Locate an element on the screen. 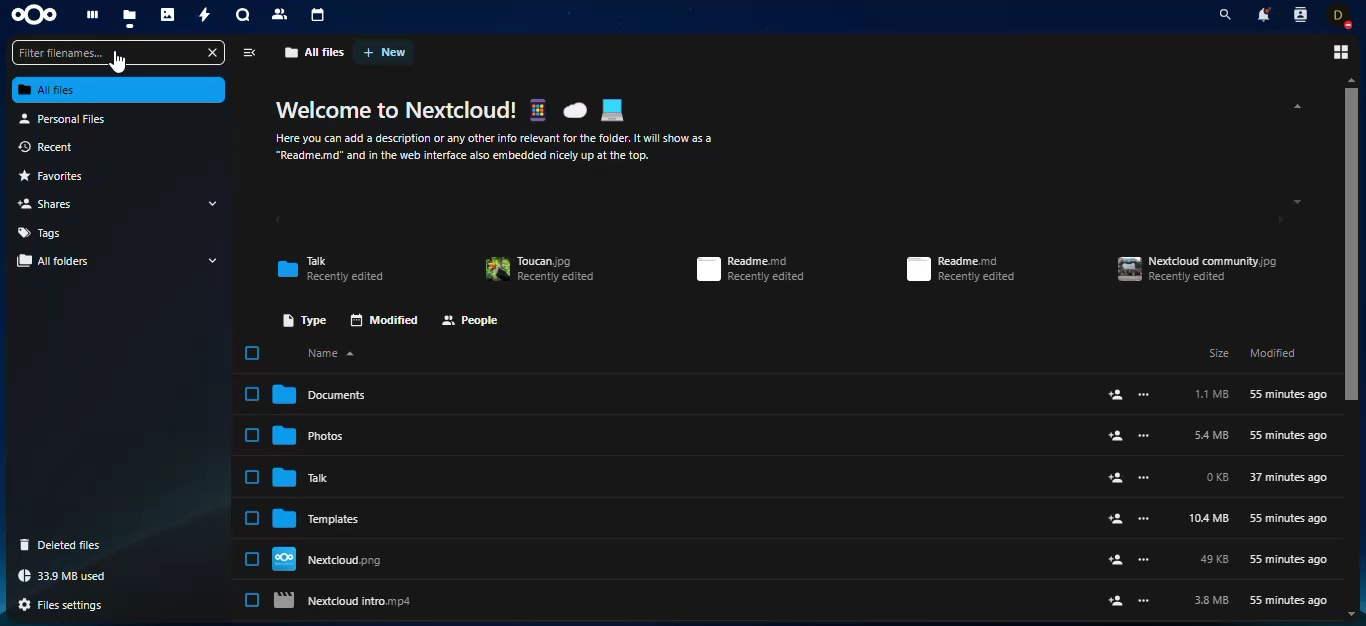  Size is located at coordinates (1219, 352).